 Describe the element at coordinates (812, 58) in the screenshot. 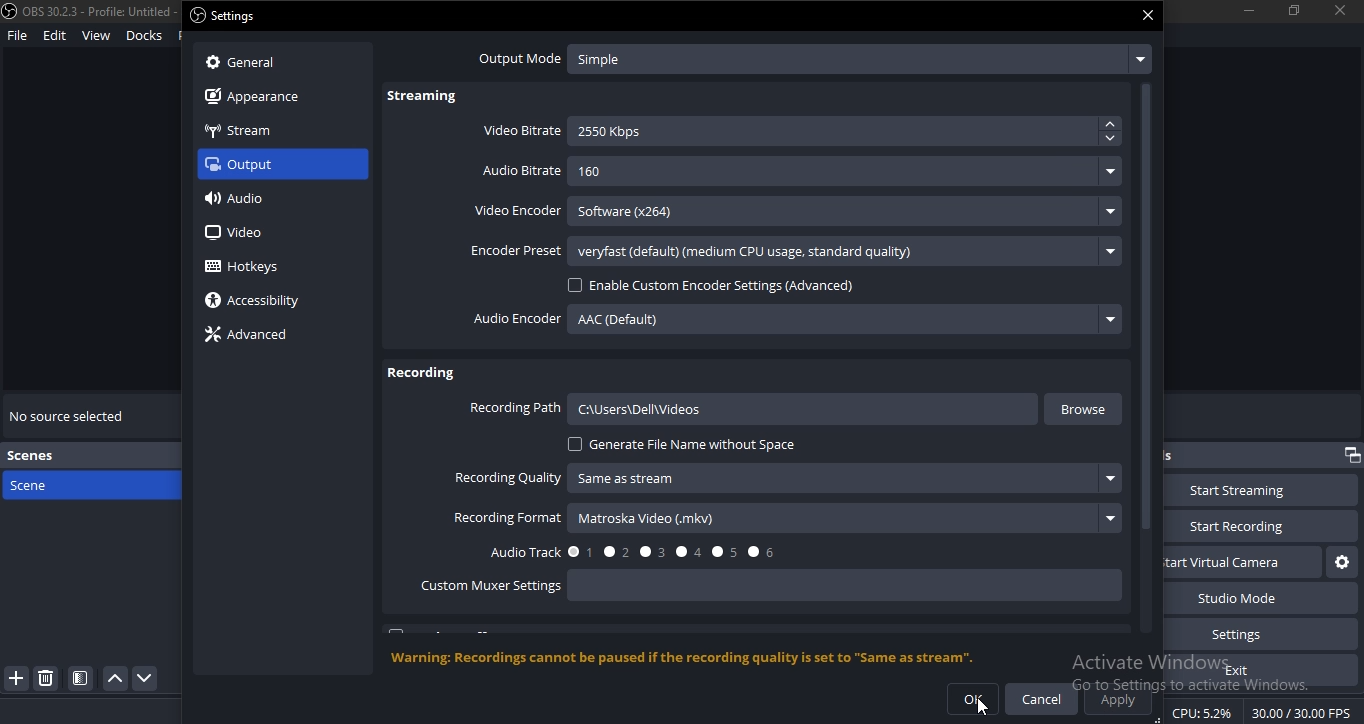

I see `output mode` at that location.